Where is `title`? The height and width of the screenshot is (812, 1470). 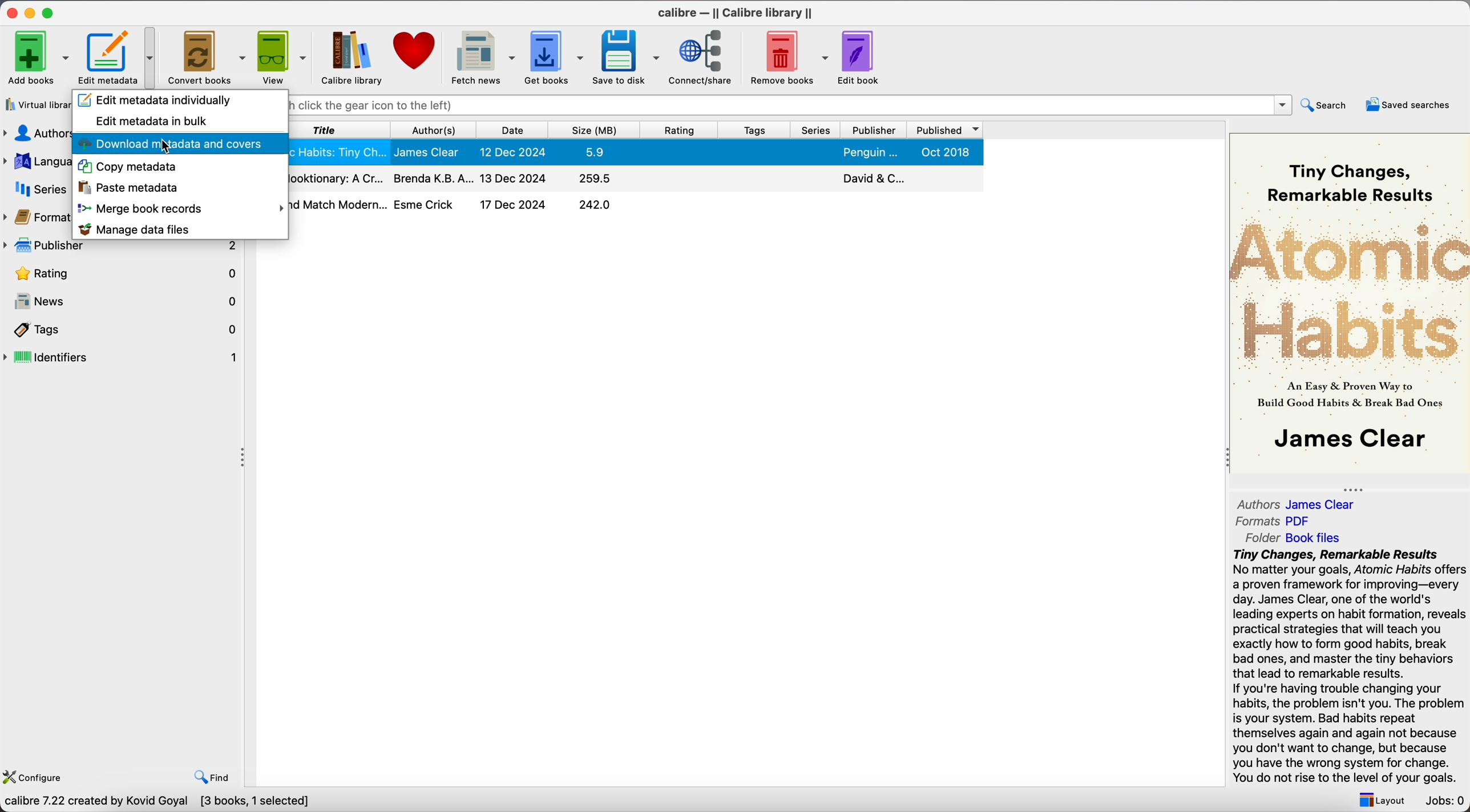
title is located at coordinates (342, 130).